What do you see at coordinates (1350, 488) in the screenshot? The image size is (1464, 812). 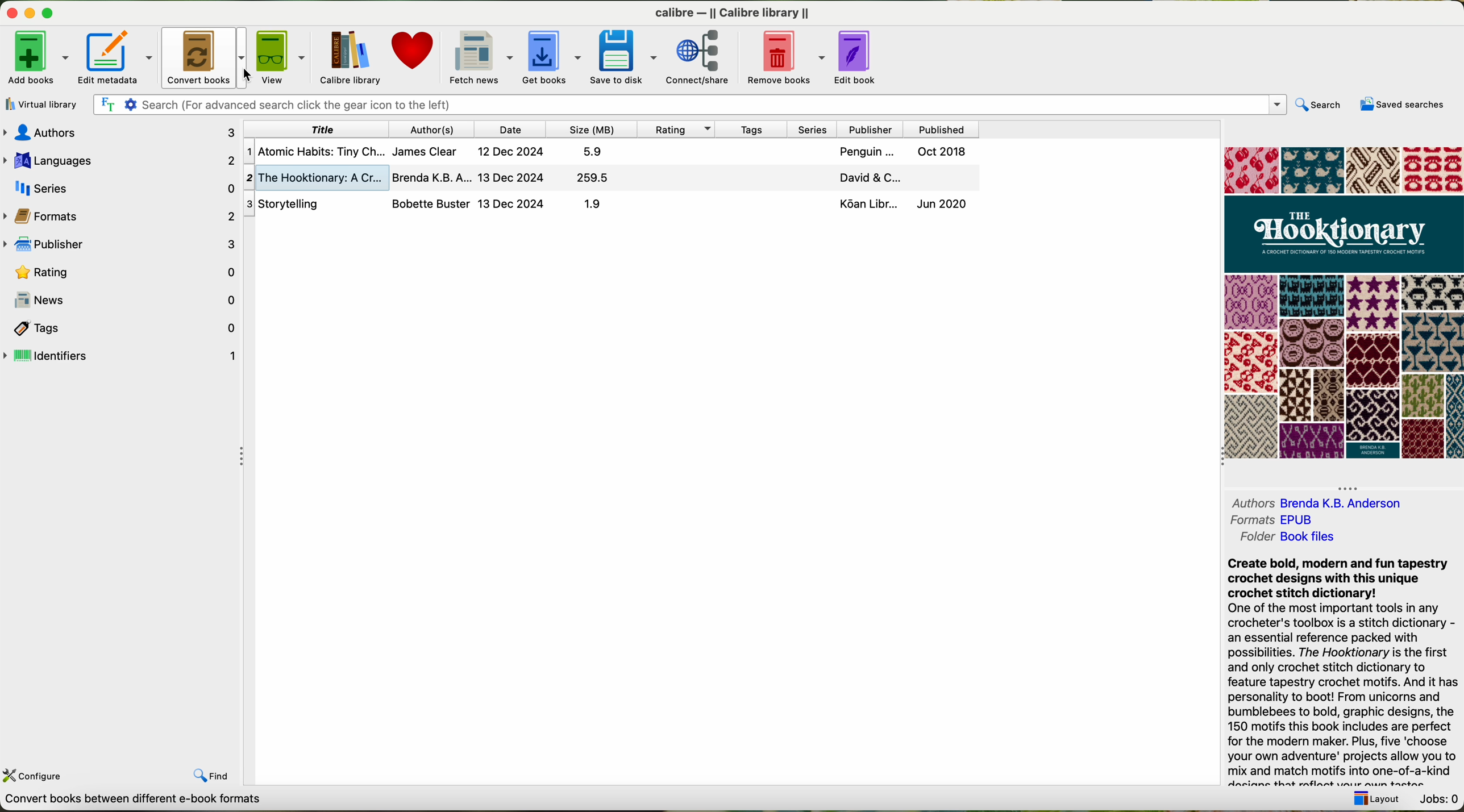 I see `Collapse` at bounding box center [1350, 488].